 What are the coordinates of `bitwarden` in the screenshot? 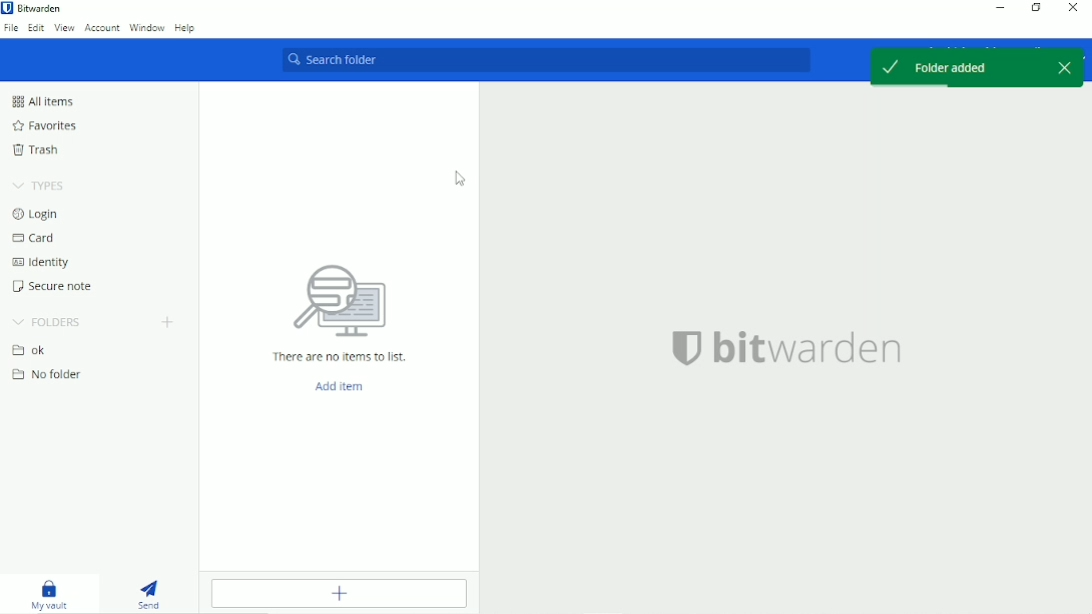 It's located at (812, 352).